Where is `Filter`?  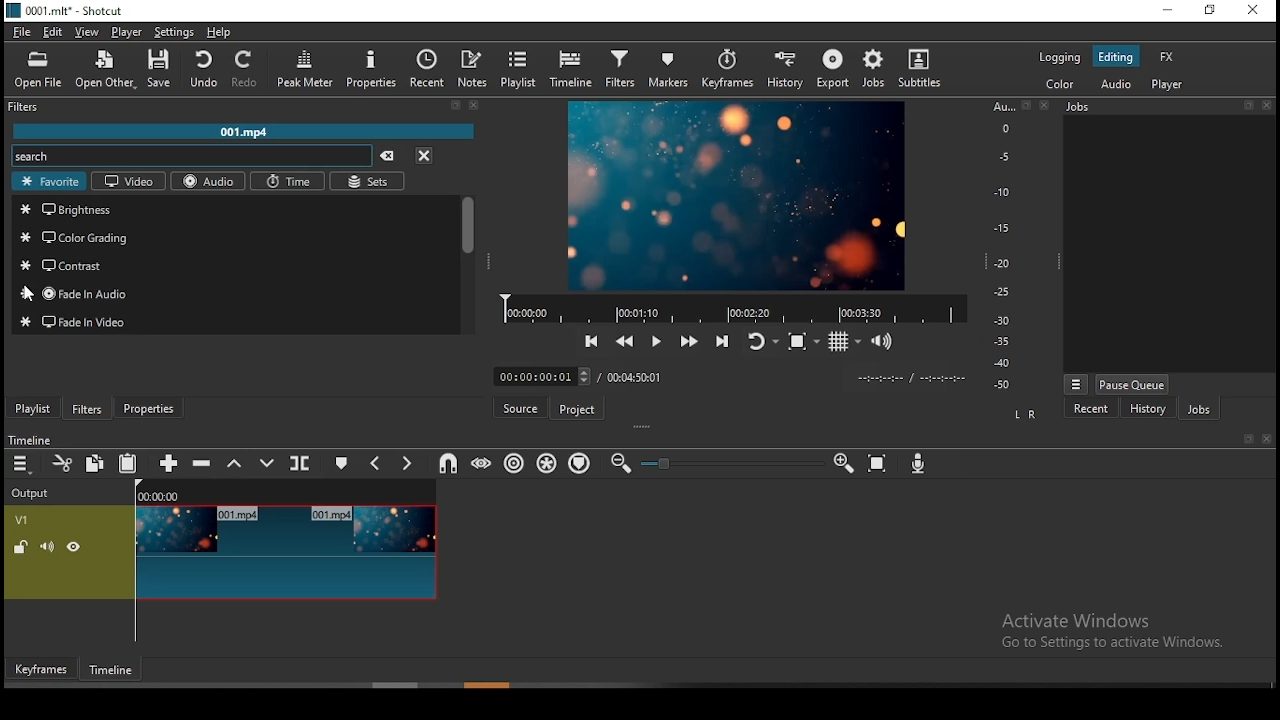 Filter is located at coordinates (245, 107).